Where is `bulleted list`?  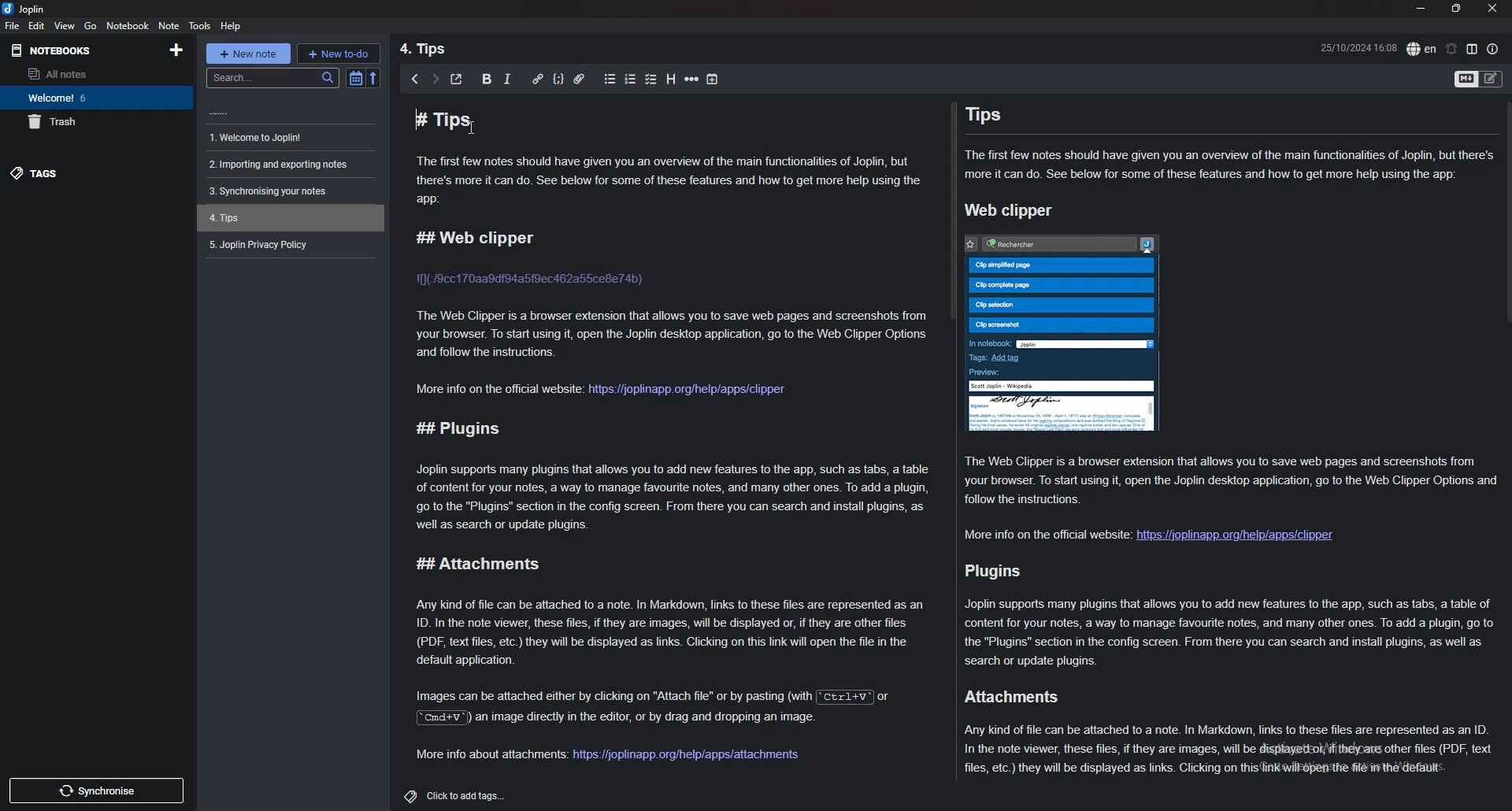
bulleted list is located at coordinates (606, 77).